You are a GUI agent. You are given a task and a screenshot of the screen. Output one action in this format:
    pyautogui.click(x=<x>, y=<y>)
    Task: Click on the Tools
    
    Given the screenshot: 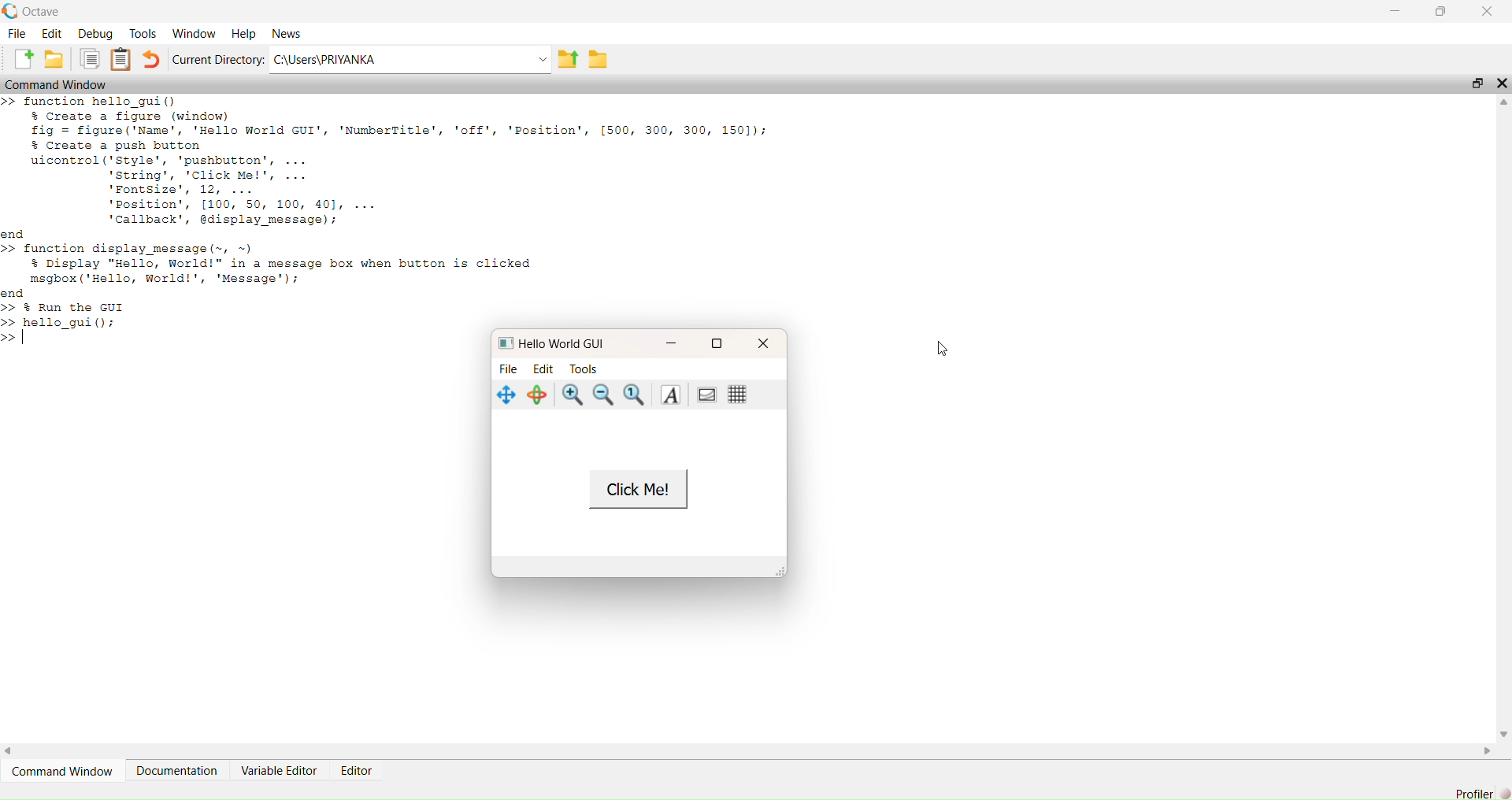 What is the action you would take?
    pyautogui.click(x=588, y=368)
    